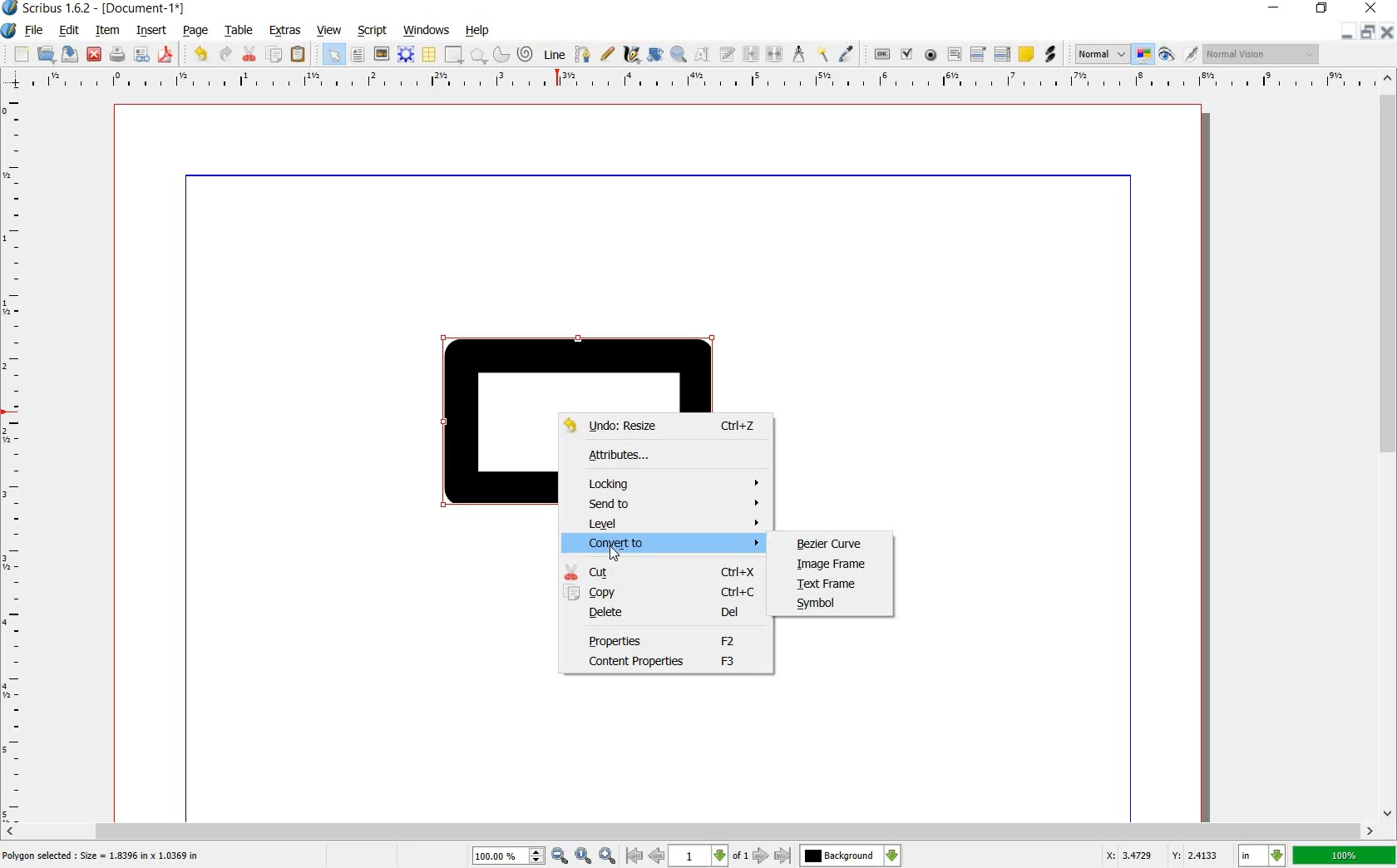  Describe the element at coordinates (34, 32) in the screenshot. I see `file` at that location.